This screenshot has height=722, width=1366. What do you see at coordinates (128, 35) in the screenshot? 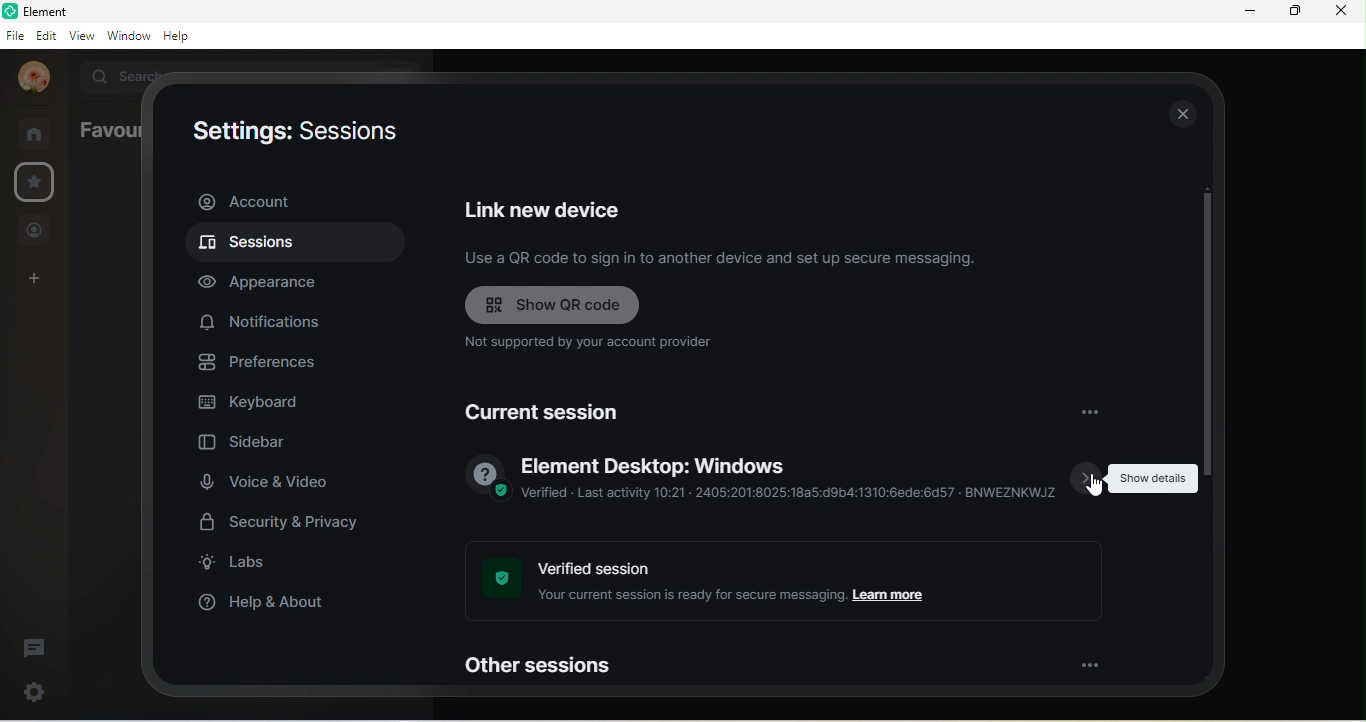
I see `window` at bounding box center [128, 35].